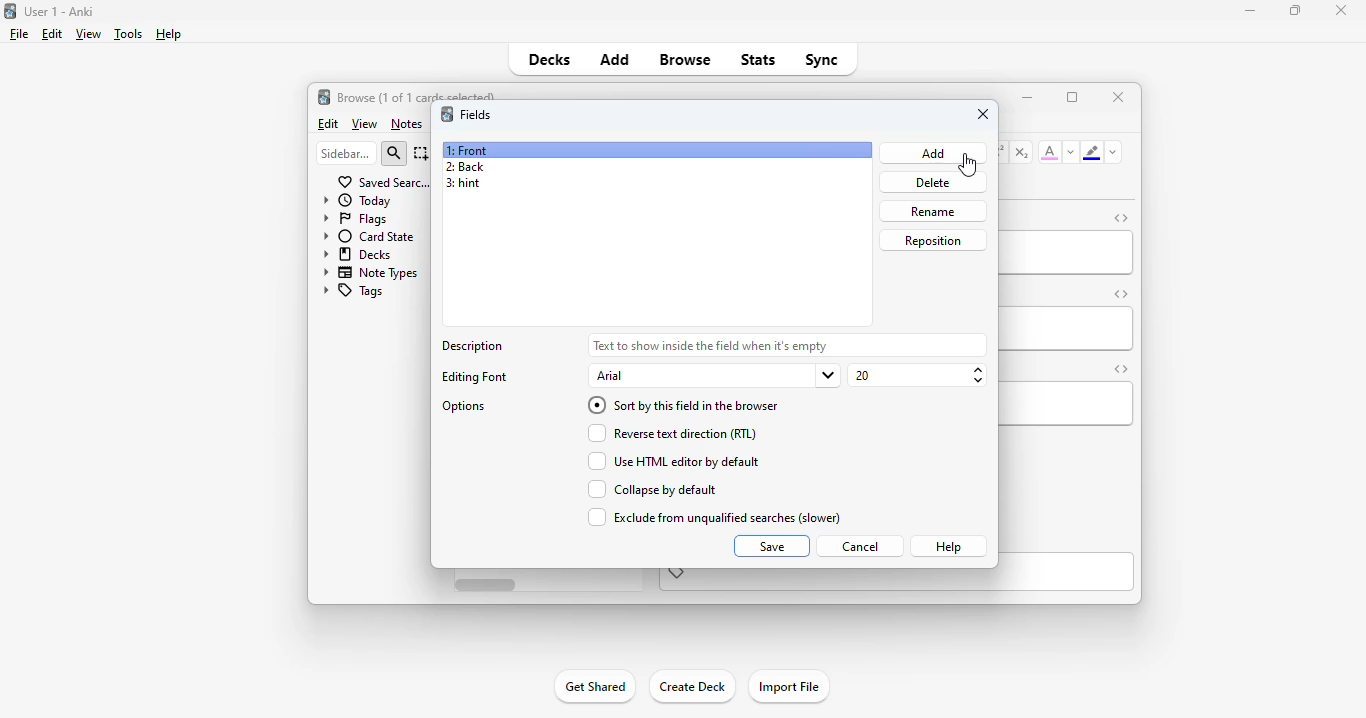 The width and height of the screenshot is (1366, 718). Describe the element at coordinates (464, 167) in the screenshot. I see `2: back` at that location.